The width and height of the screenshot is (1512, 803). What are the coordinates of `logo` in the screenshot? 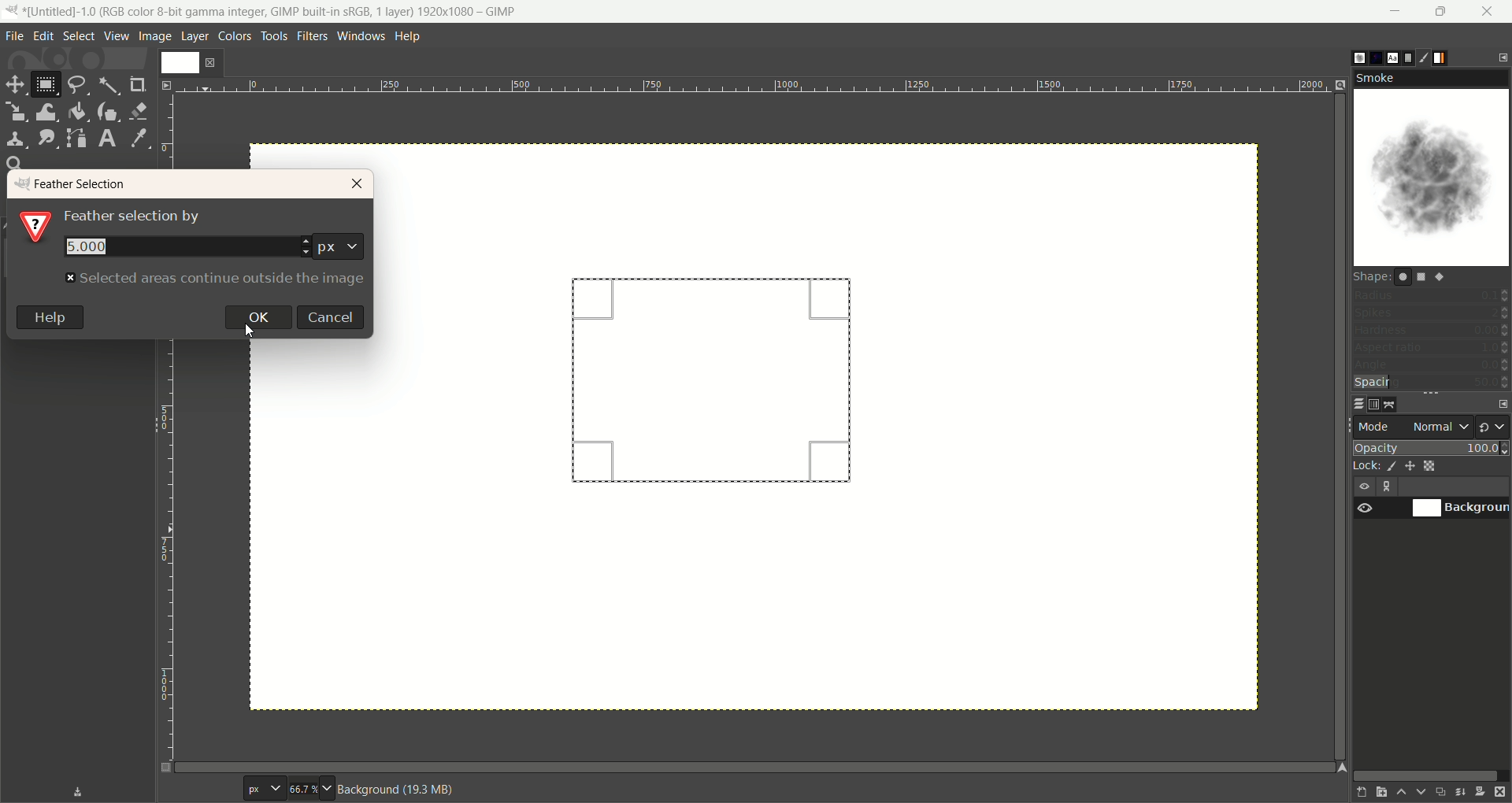 It's located at (11, 13).